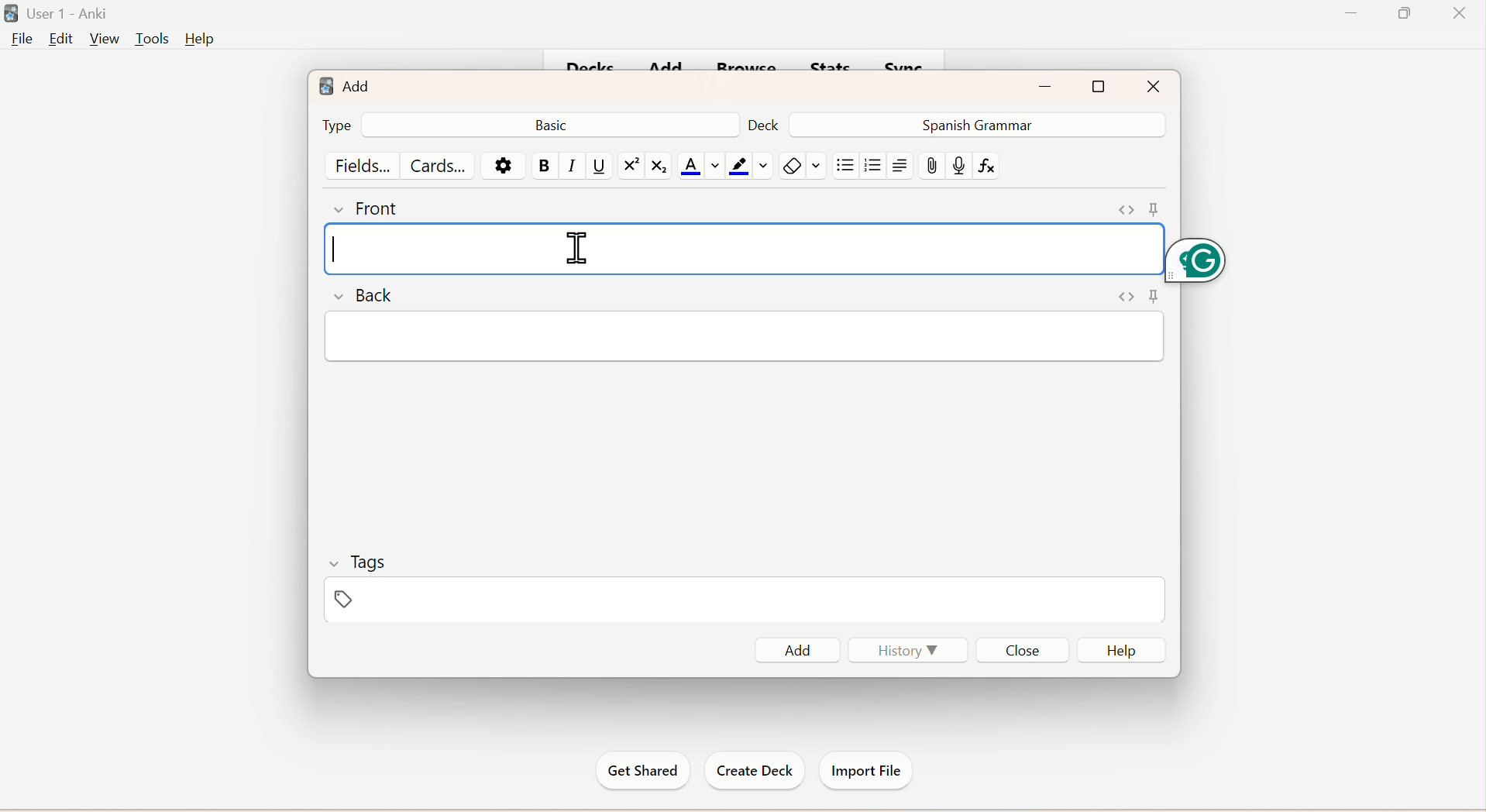 This screenshot has width=1486, height=812. What do you see at coordinates (764, 124) in the screenshot?
I see `Deck` at bounding box center [764, 124].